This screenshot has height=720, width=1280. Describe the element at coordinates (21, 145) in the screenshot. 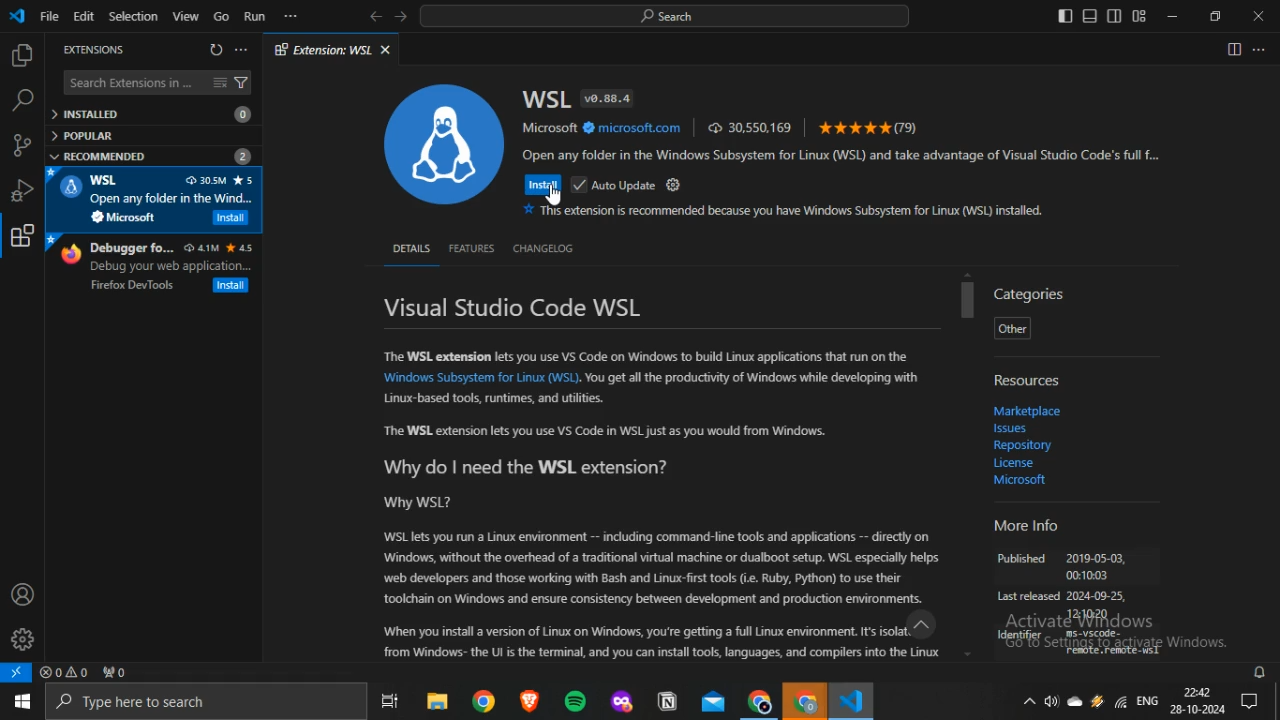

I see `source control` at that location.